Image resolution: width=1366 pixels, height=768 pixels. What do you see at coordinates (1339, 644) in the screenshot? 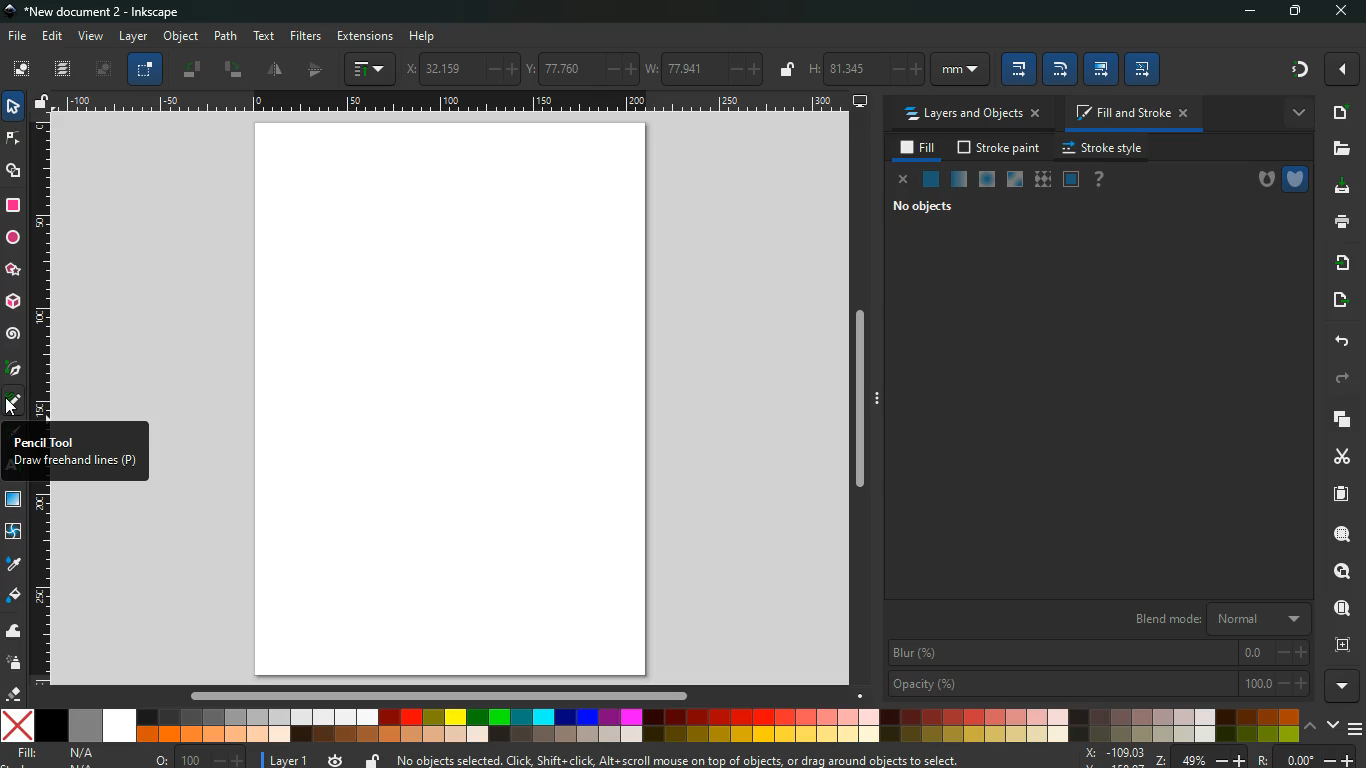
I see `frame` at bounding box center [1339, 644].